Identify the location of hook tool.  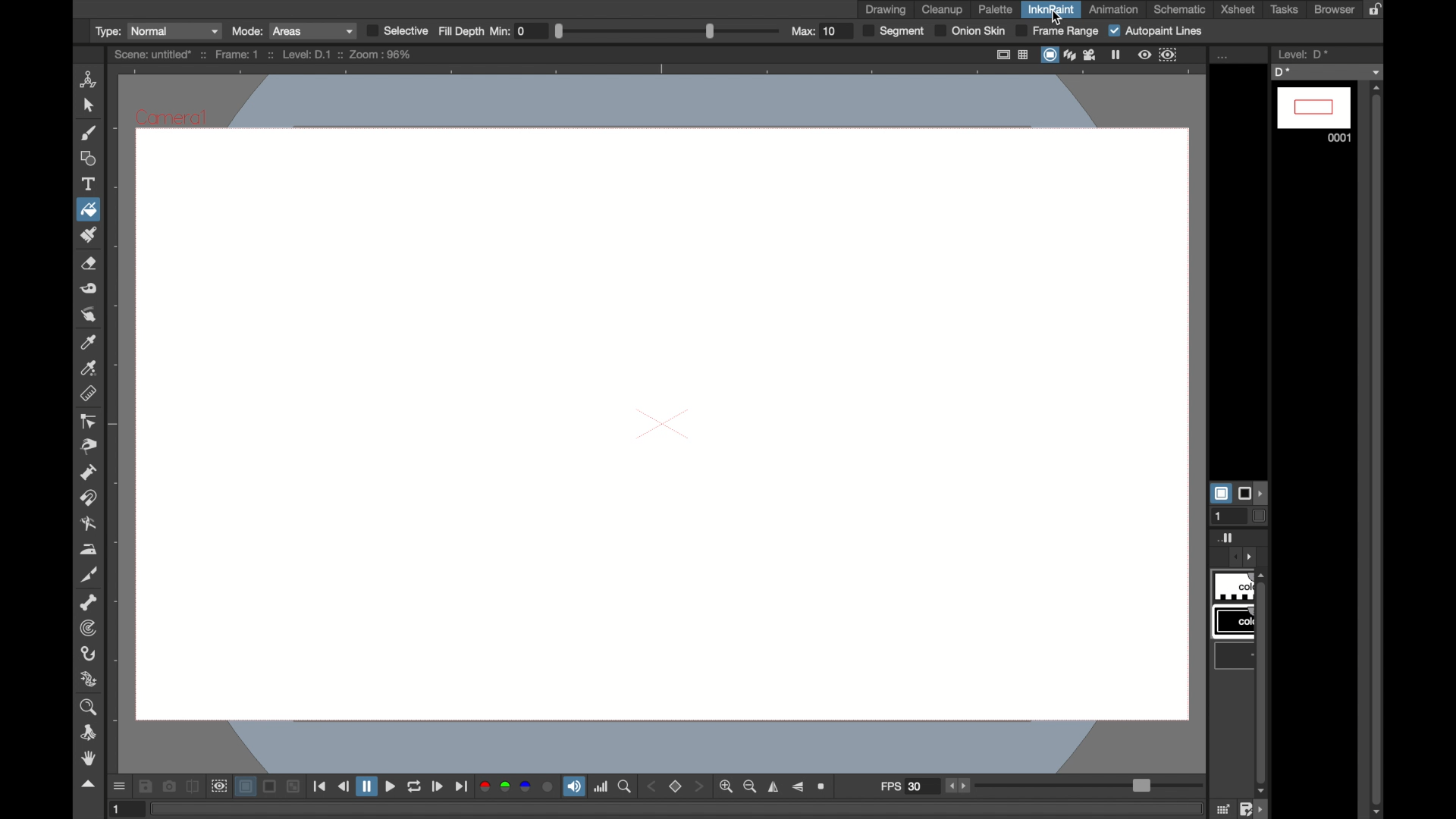
(88, 654).